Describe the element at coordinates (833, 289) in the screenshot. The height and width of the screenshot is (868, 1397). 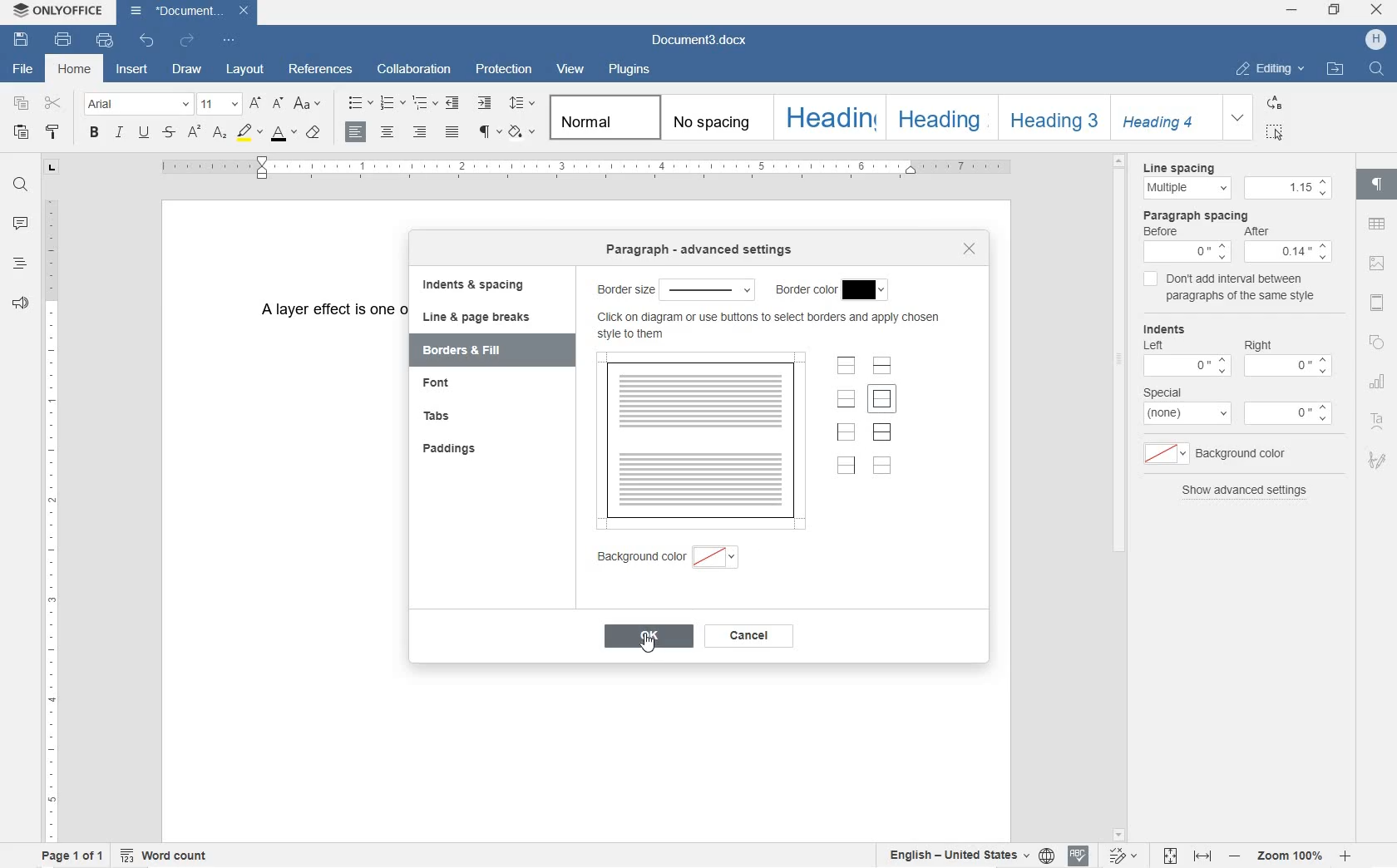
I see `border color` at that location.